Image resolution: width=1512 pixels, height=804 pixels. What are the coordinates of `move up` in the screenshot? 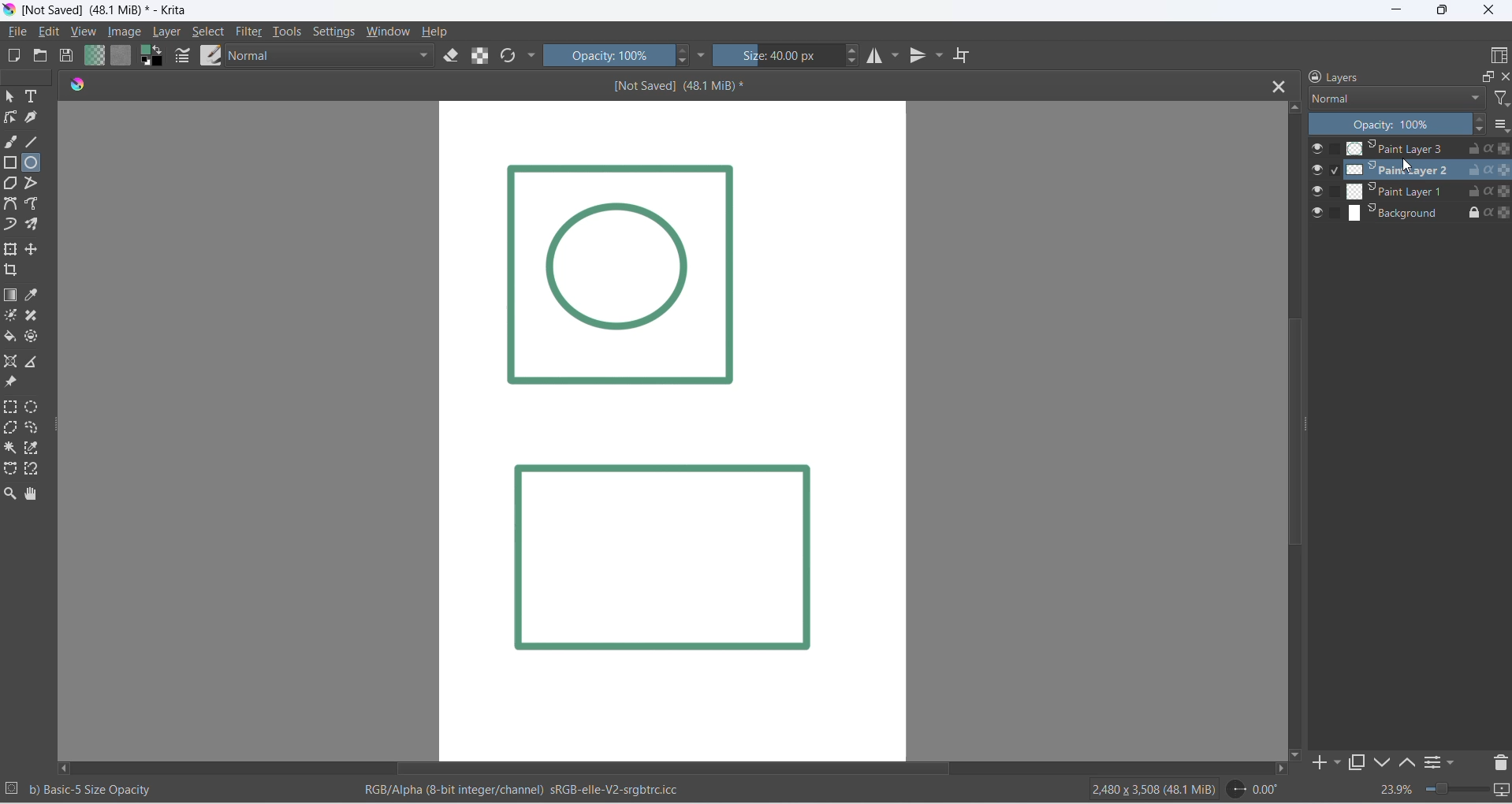 It's located at (1406, 762).